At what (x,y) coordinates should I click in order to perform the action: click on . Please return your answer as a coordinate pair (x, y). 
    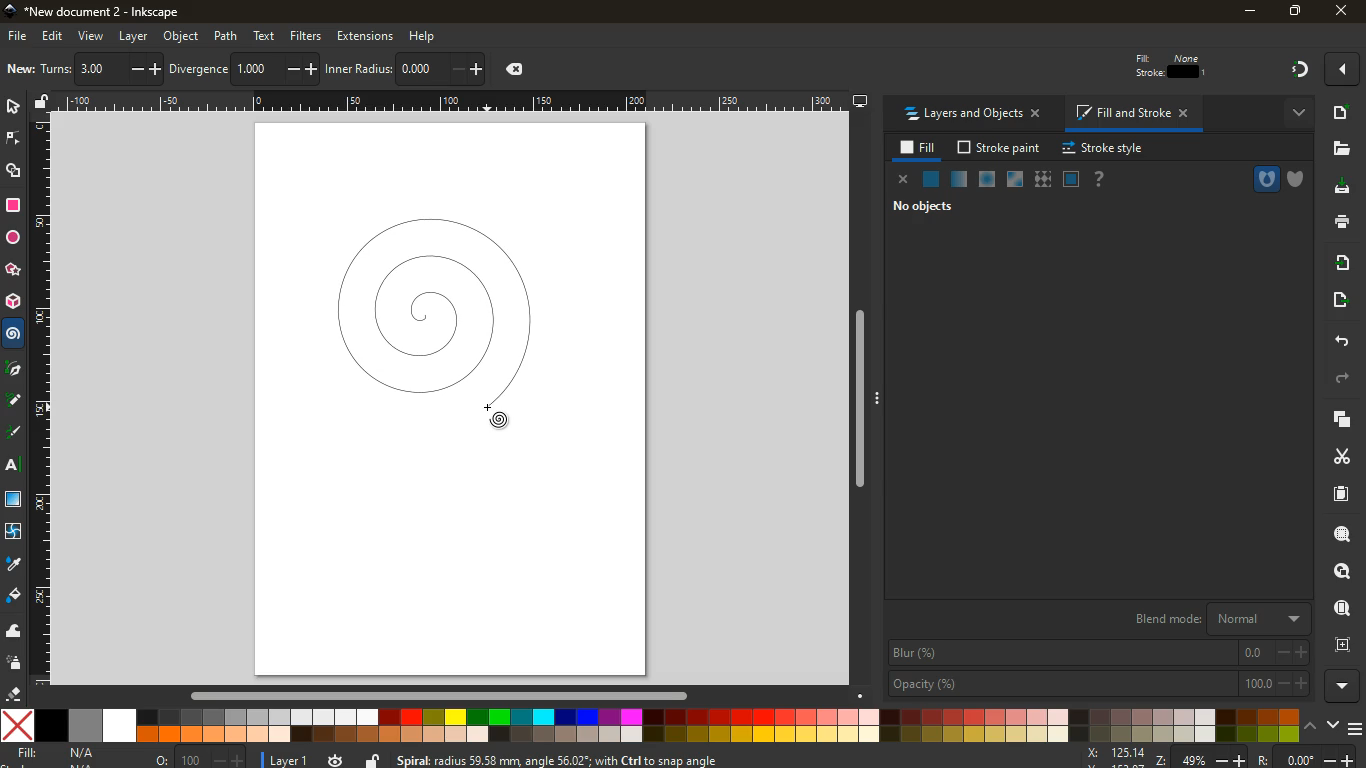
    Looking at the image, I should click on (438, 698).